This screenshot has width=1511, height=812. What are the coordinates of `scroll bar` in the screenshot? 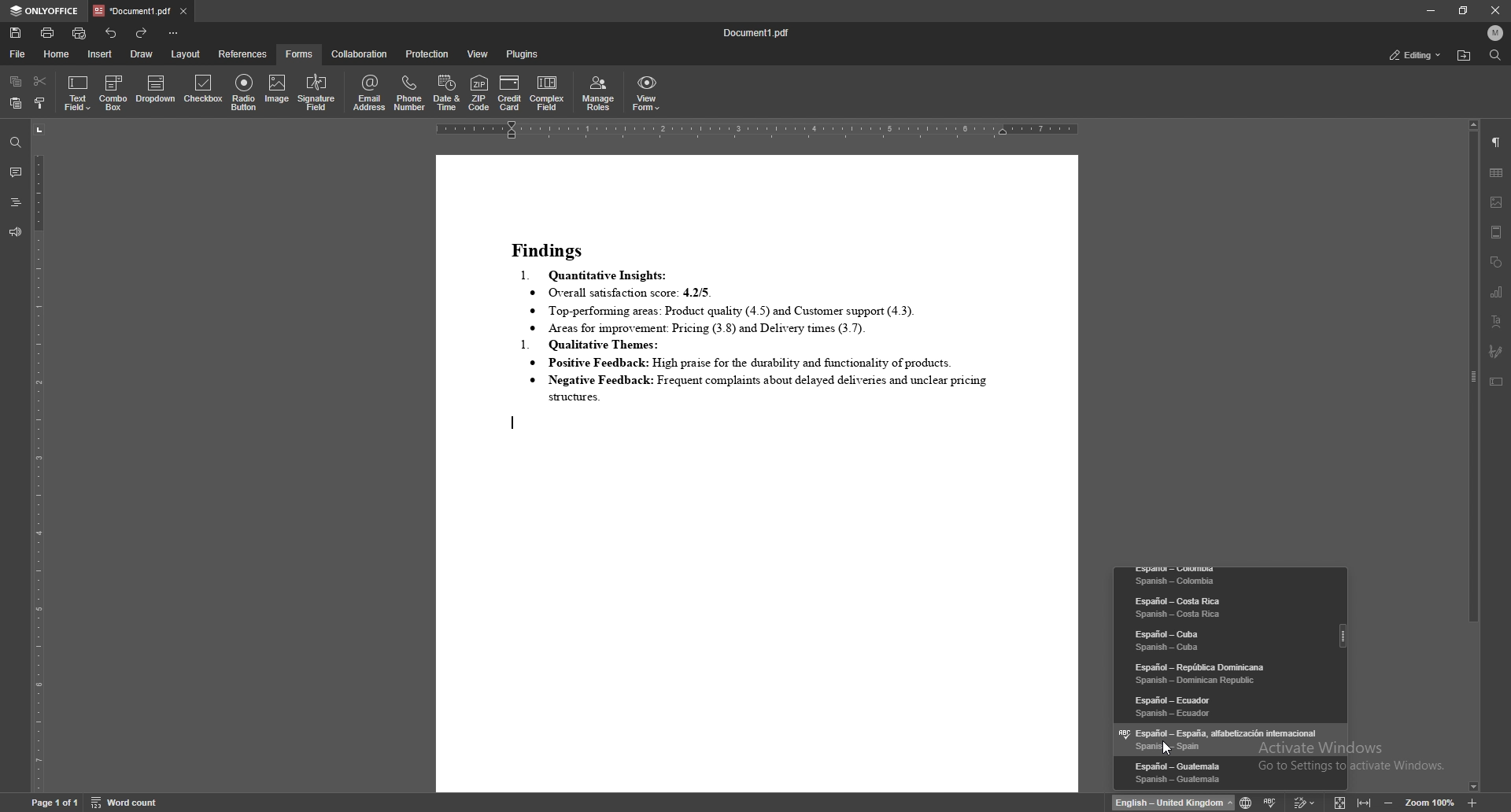 It's located at (1345, 677).